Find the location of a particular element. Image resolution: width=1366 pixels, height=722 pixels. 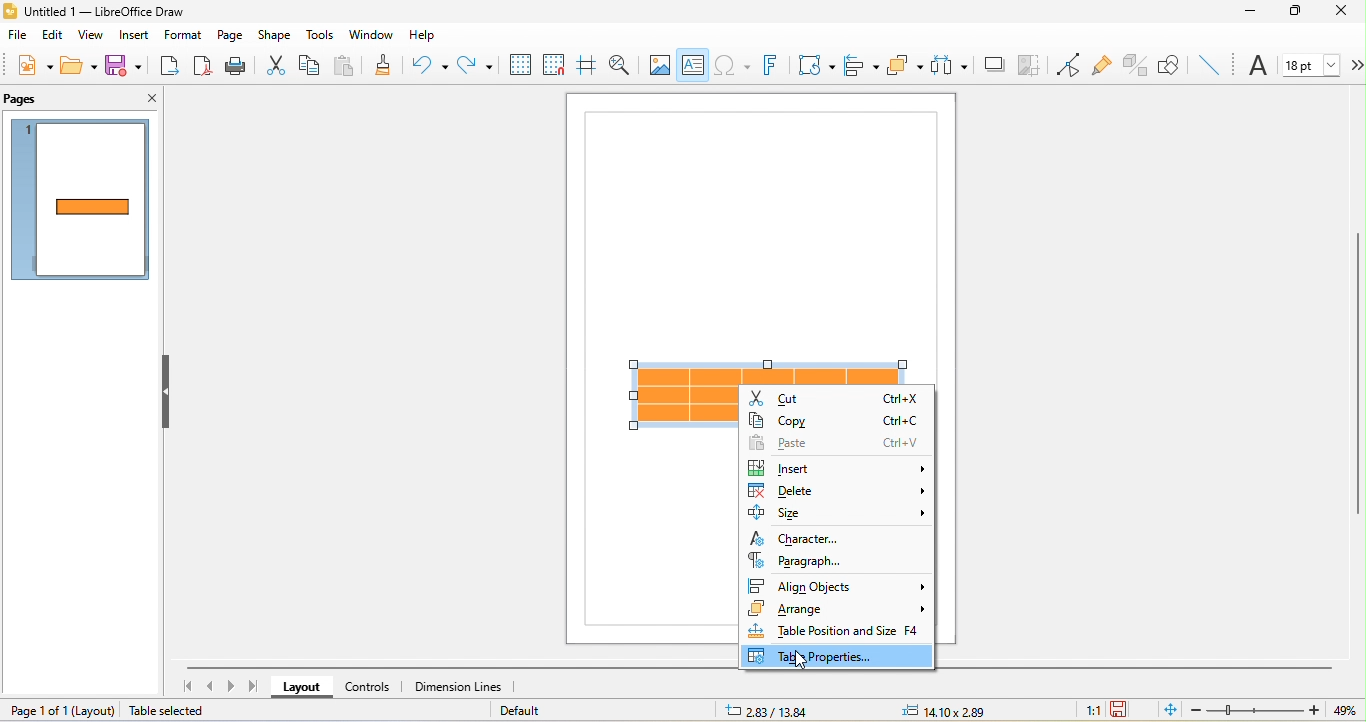

redo is located at coordinates (474, 64).